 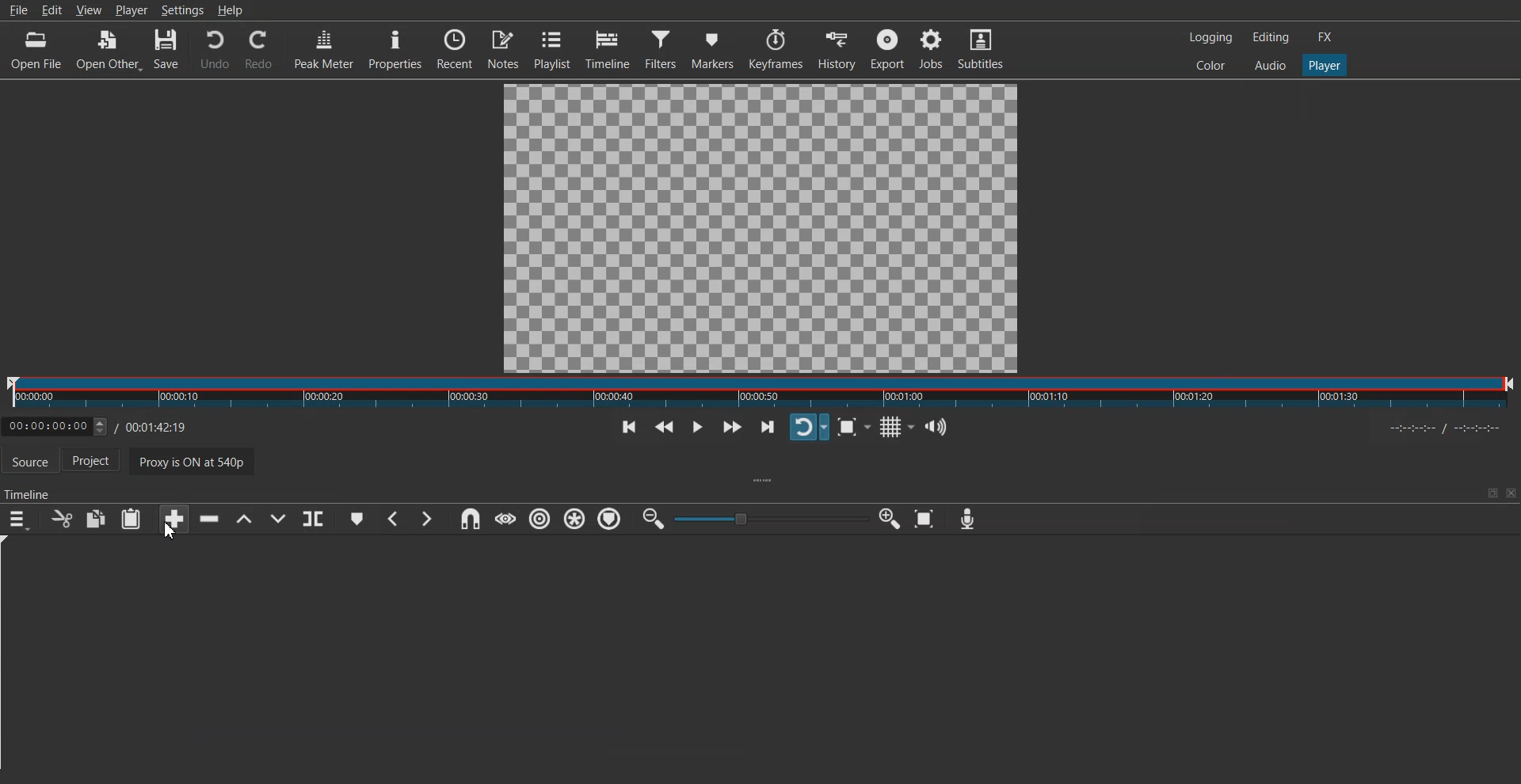 What do you see at coordinates (1325, 37) in the screenshot?
I see `FX` at bounding box center [1325, 37].